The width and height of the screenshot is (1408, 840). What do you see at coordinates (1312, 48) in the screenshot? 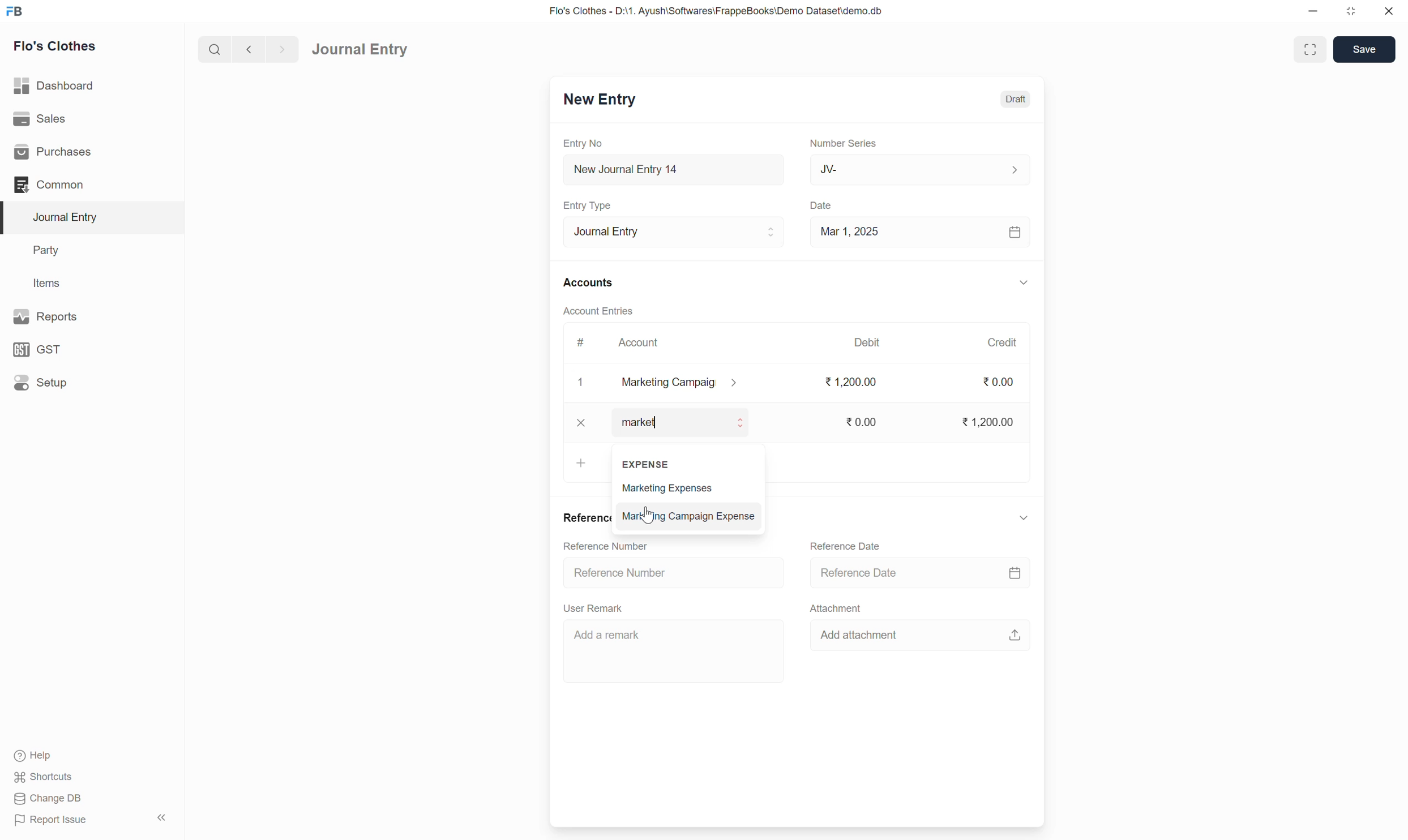
I see `enlarge` at bounding box center [1312, 48].